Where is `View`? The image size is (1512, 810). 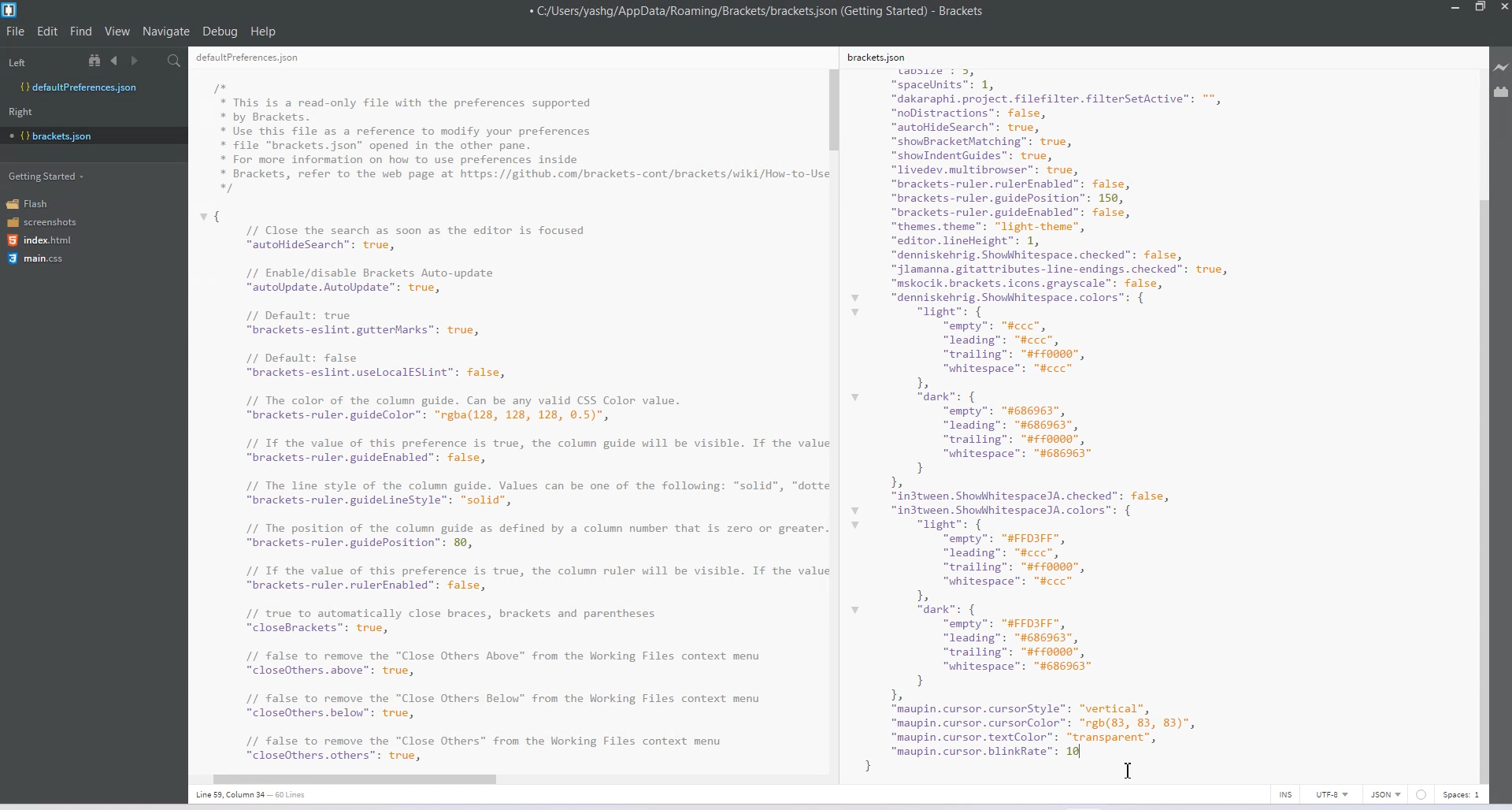
View is located at coordinates (118, 31).